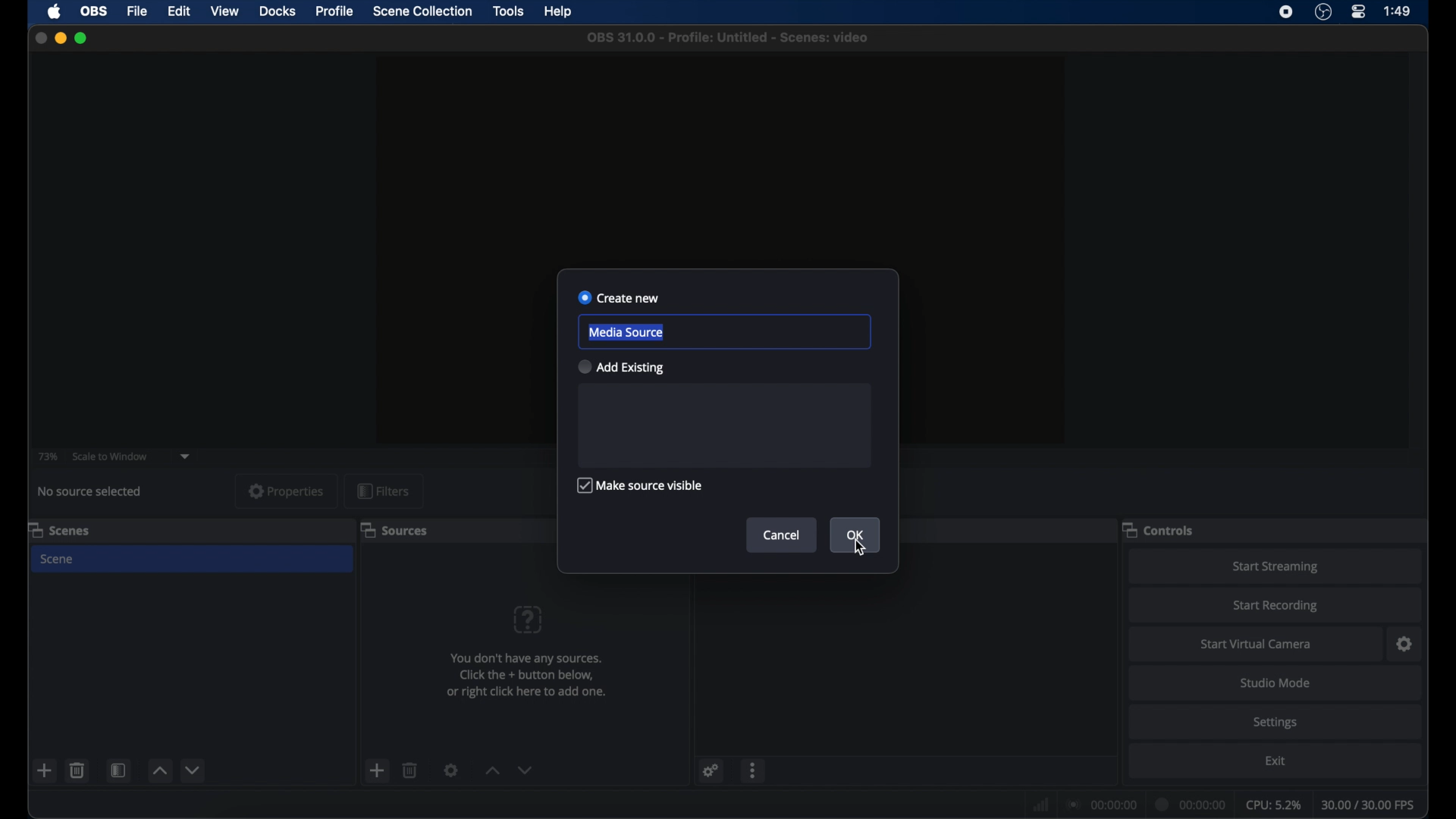 The image size is (1456, 819). I want to click on decrement, so click(526, 769).